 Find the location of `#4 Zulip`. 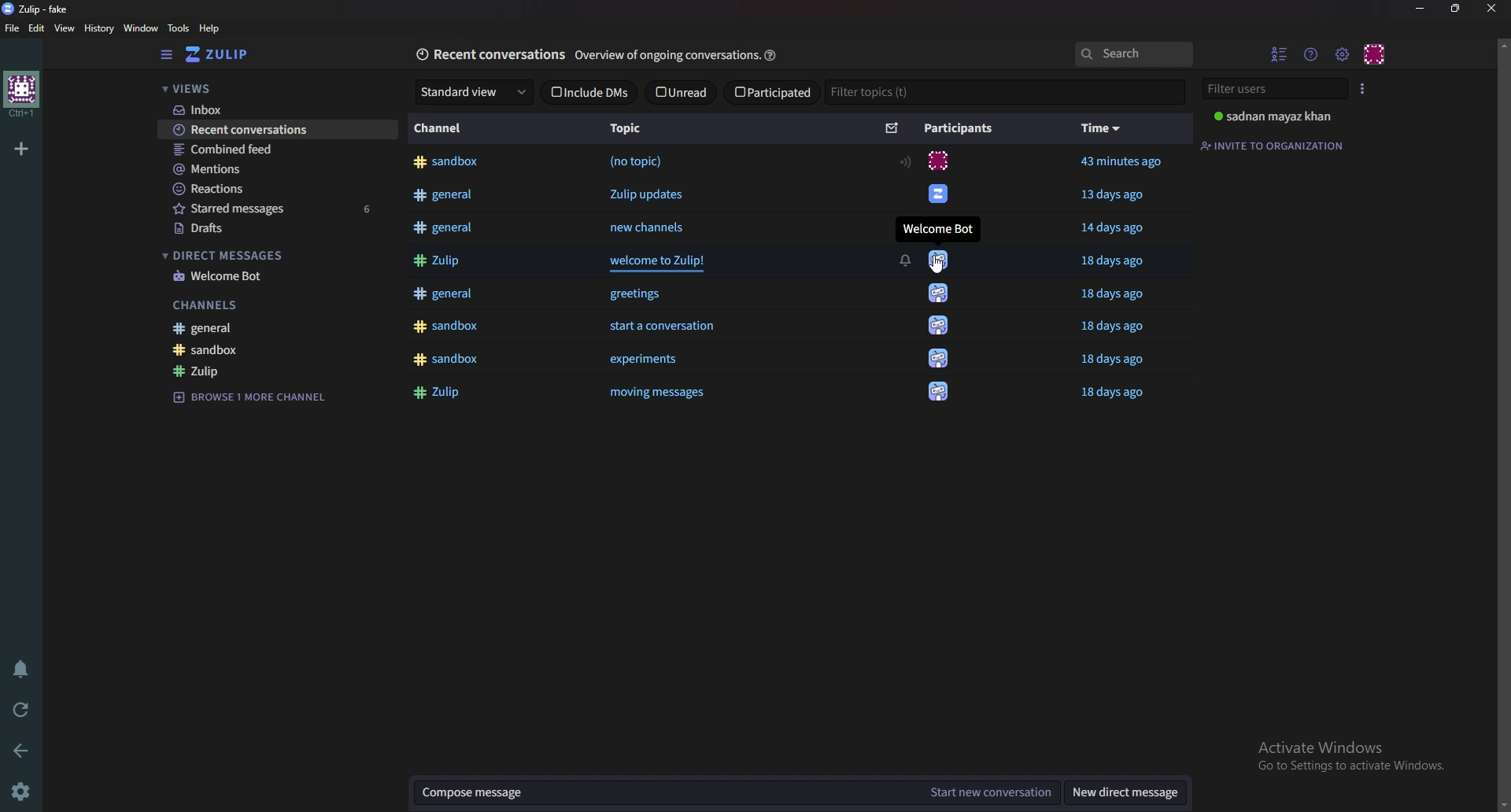

#4 Zulip is located at coordinates (441, 393).